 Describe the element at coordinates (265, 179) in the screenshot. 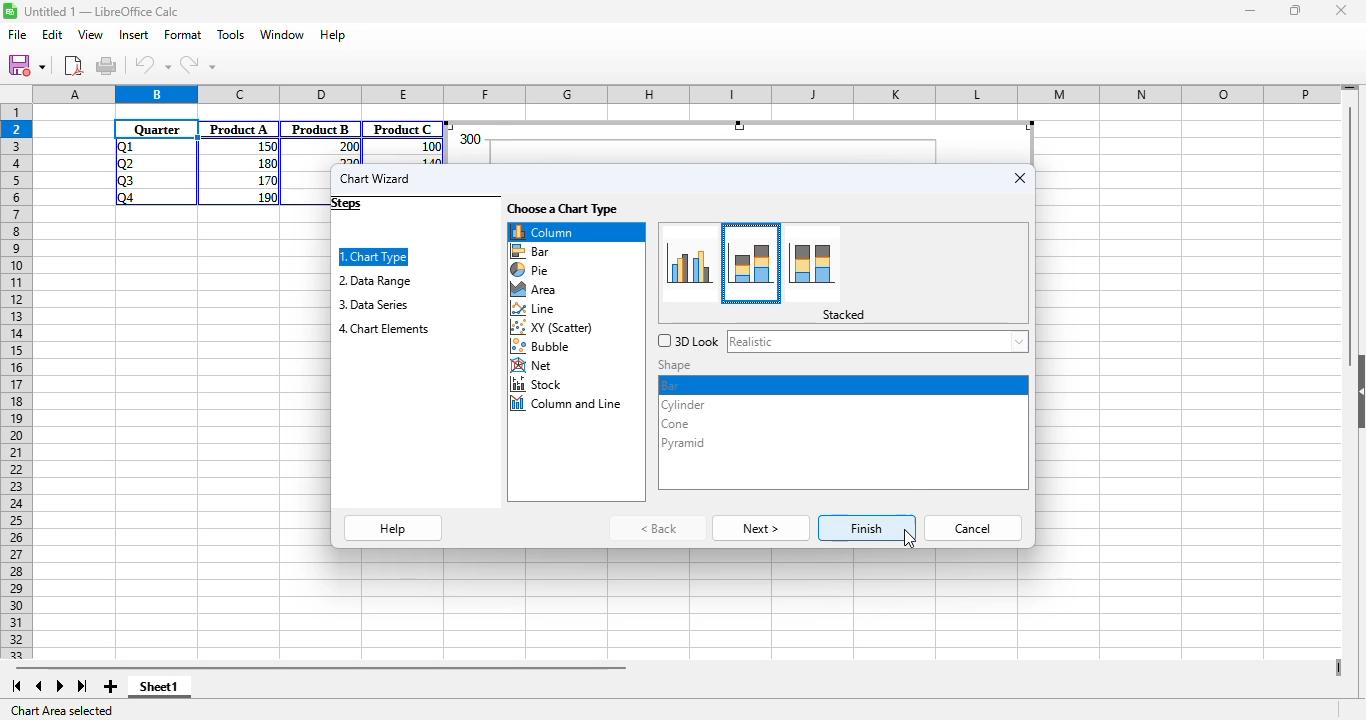

I see `170` at that location.